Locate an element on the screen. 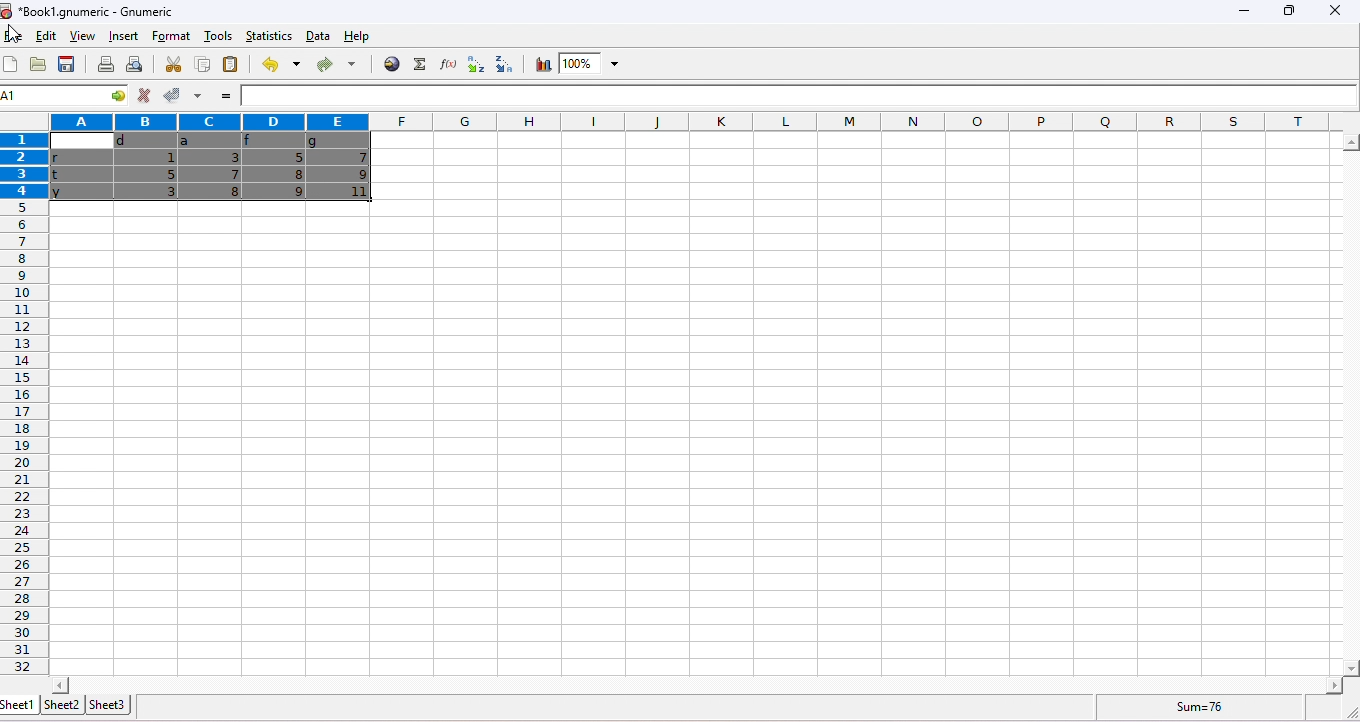 The width and height of the screenshot is (1360, 722). cell functions is located at coordinates (109, 97).